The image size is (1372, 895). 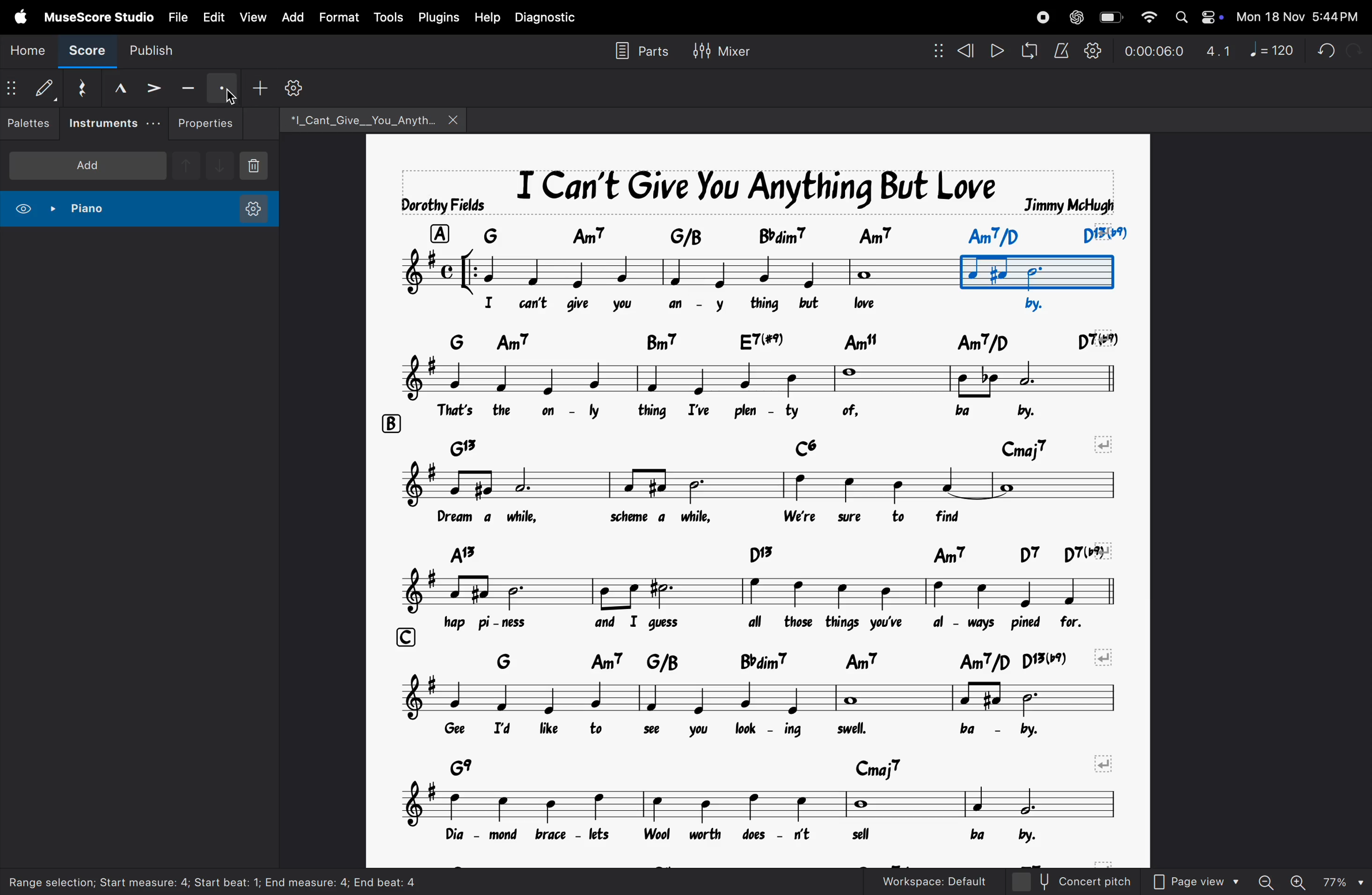 I want to click on chord symbols, so click(x=772, y=764).